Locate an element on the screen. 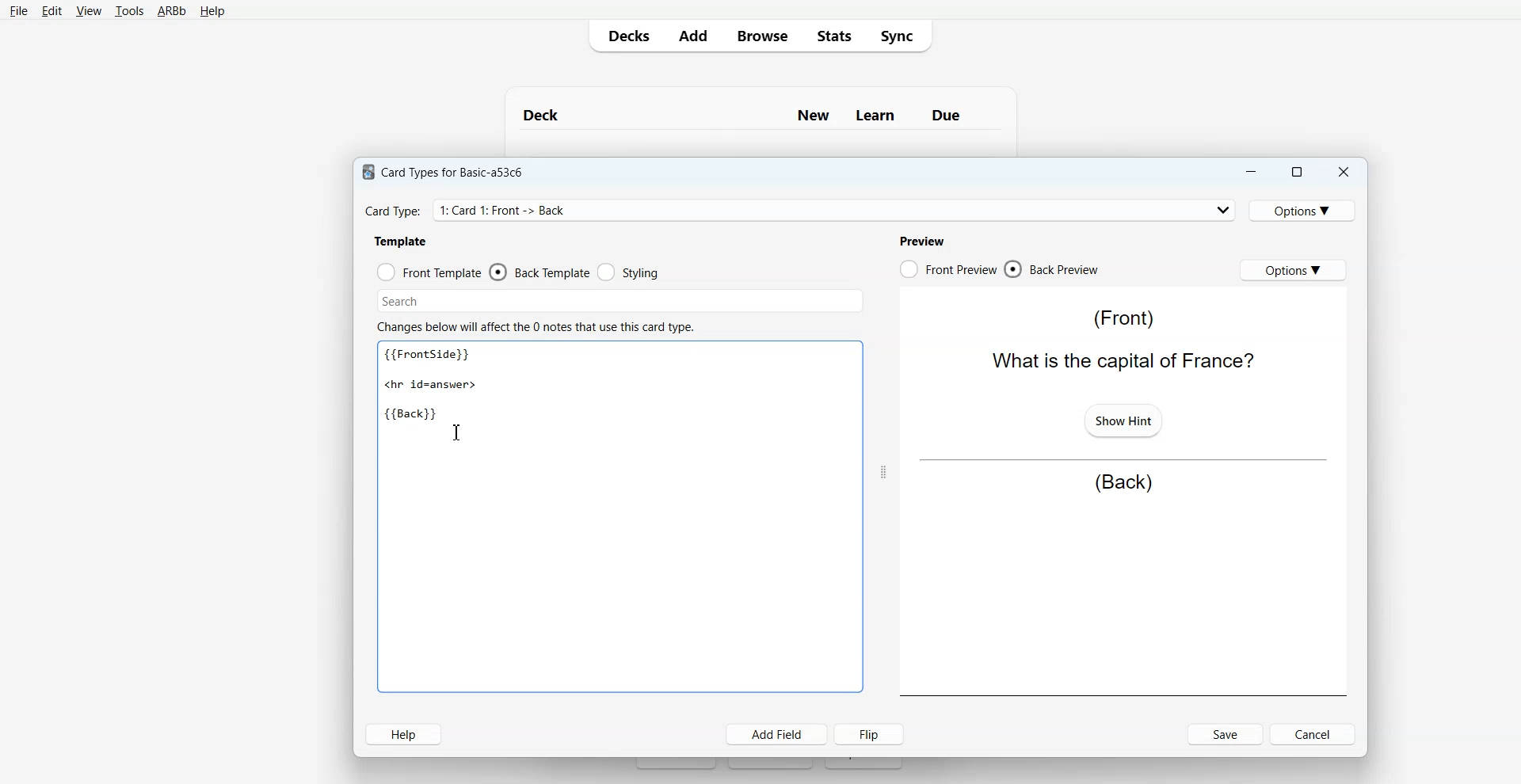 The height and width of the screenshot is (784, 1521). Stats is located at coordinates (833, 35).